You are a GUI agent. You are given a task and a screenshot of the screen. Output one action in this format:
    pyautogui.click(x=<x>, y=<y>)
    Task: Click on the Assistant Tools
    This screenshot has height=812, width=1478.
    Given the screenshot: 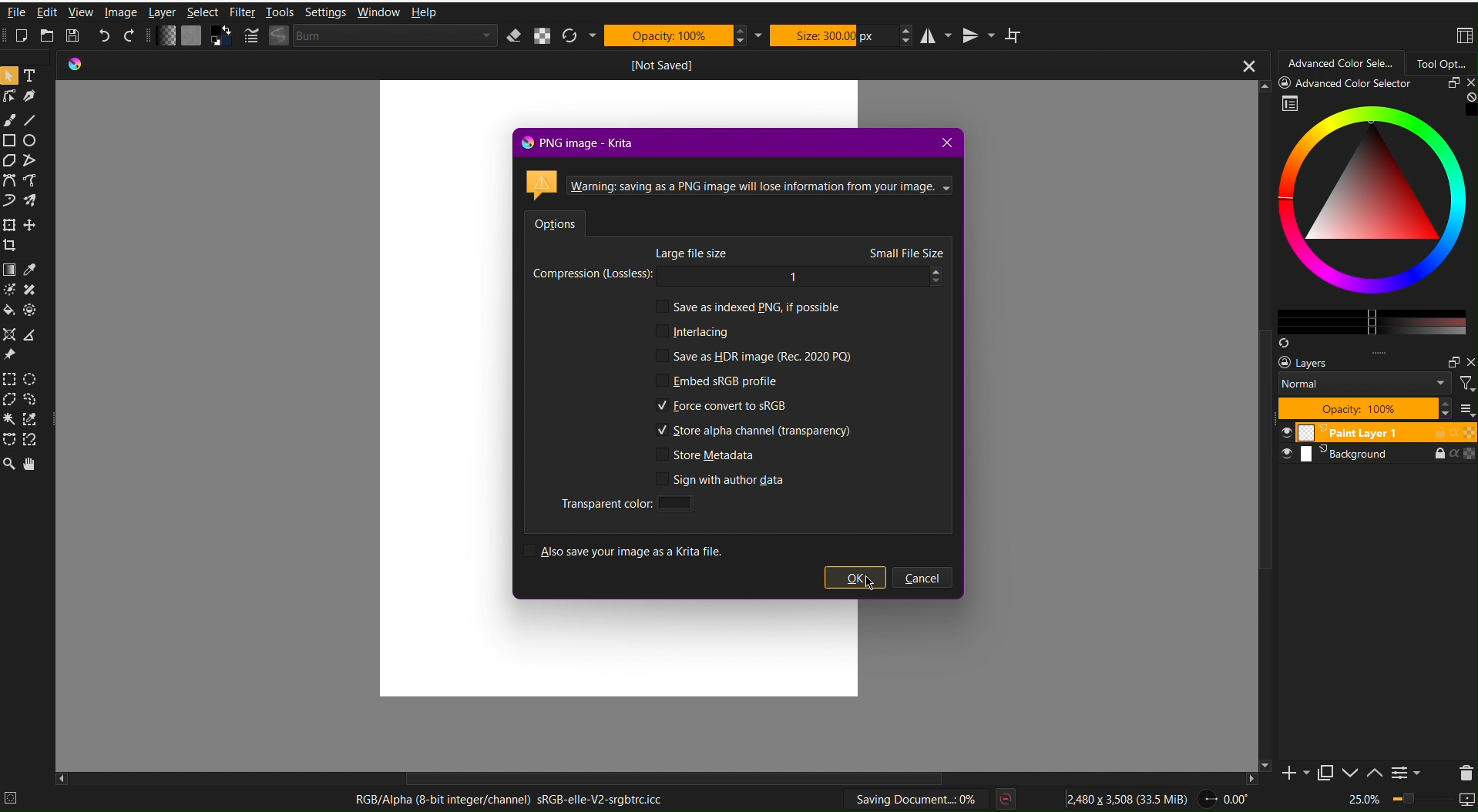 What is the action you would take?
    pyautogui.click(x=23, y=346)
    